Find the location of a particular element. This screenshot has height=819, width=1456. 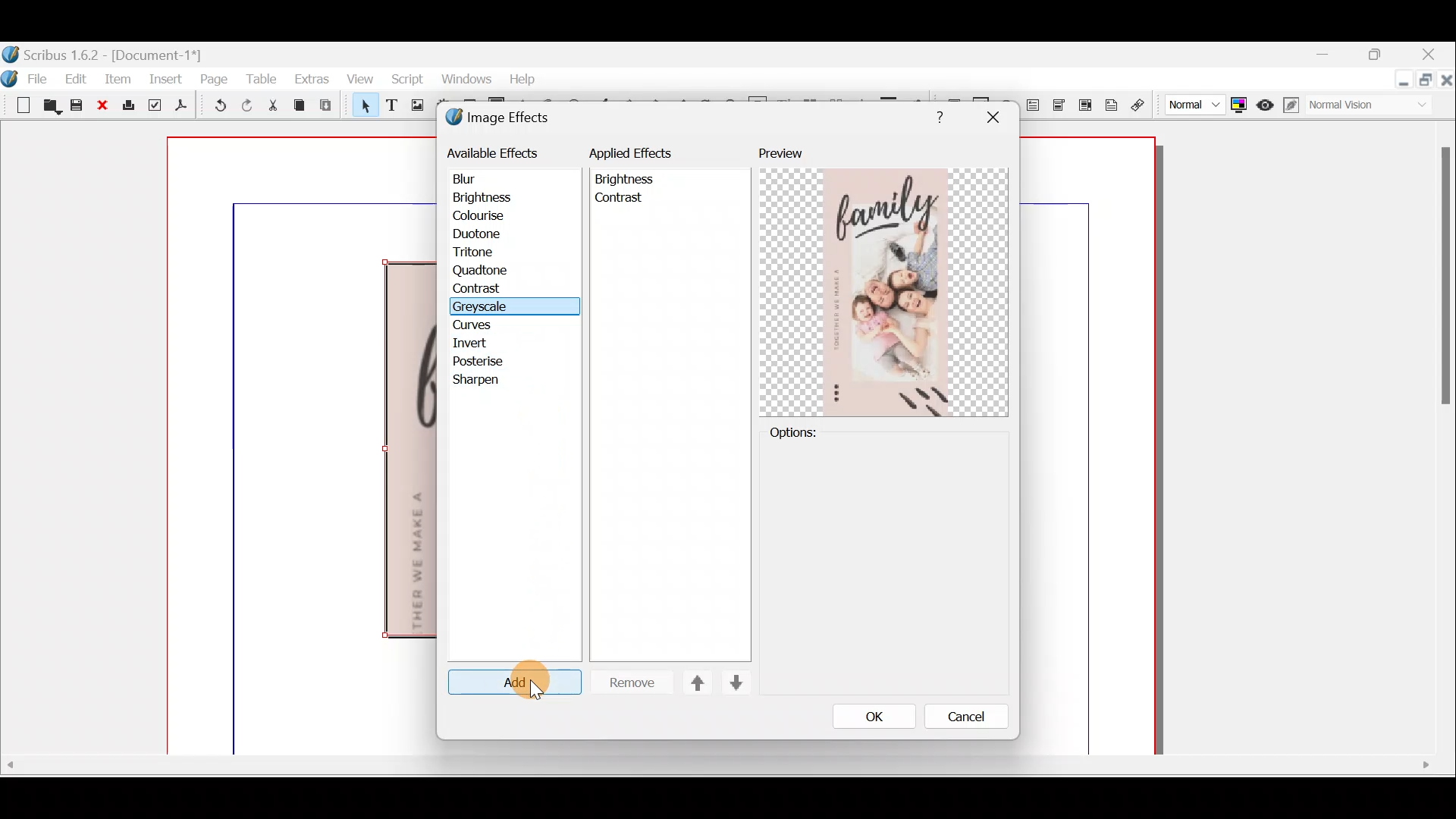

maximise is located at coordinates (1379, 56).